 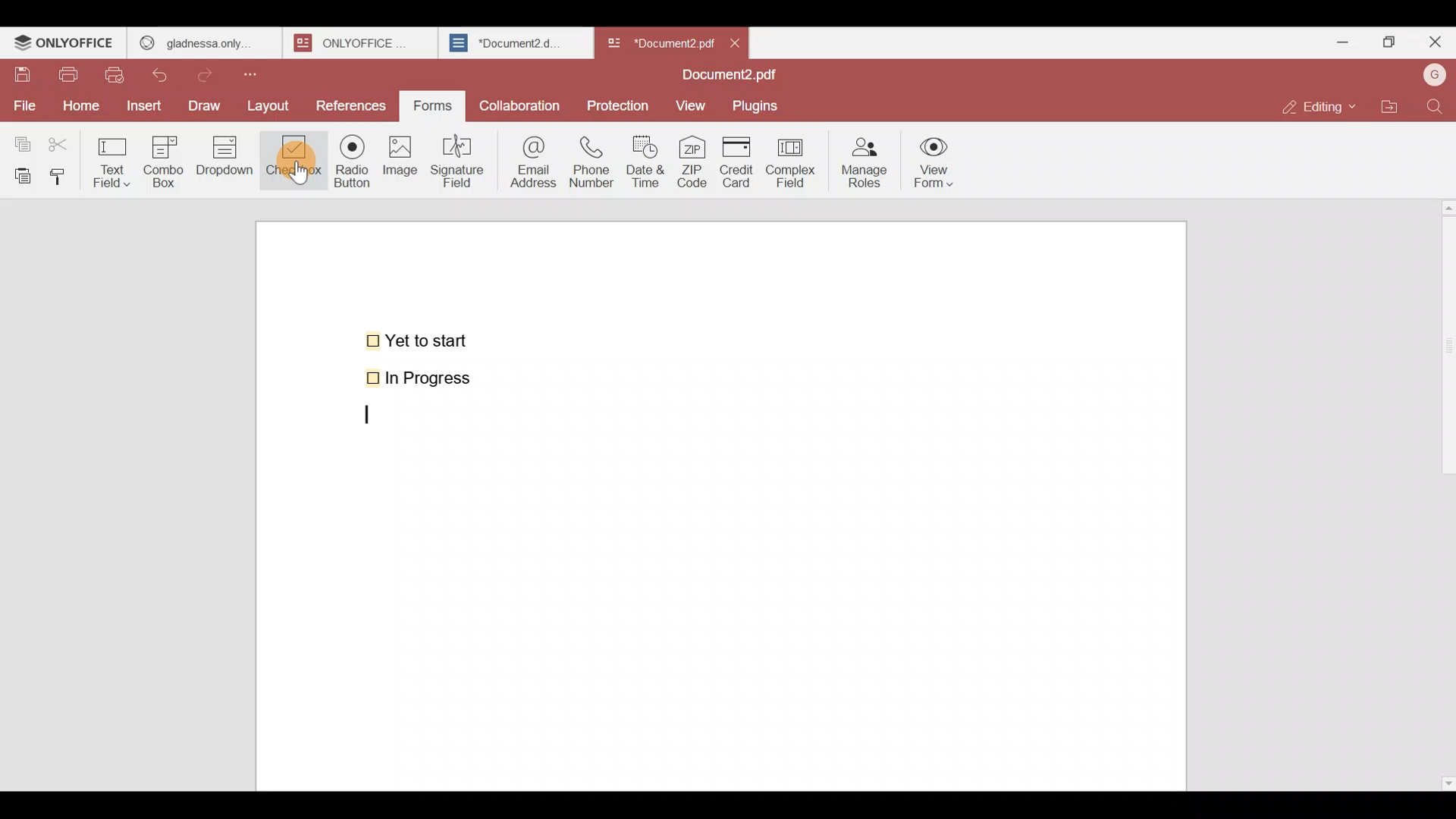 I want to click on Close, so click(x=742, y=42).